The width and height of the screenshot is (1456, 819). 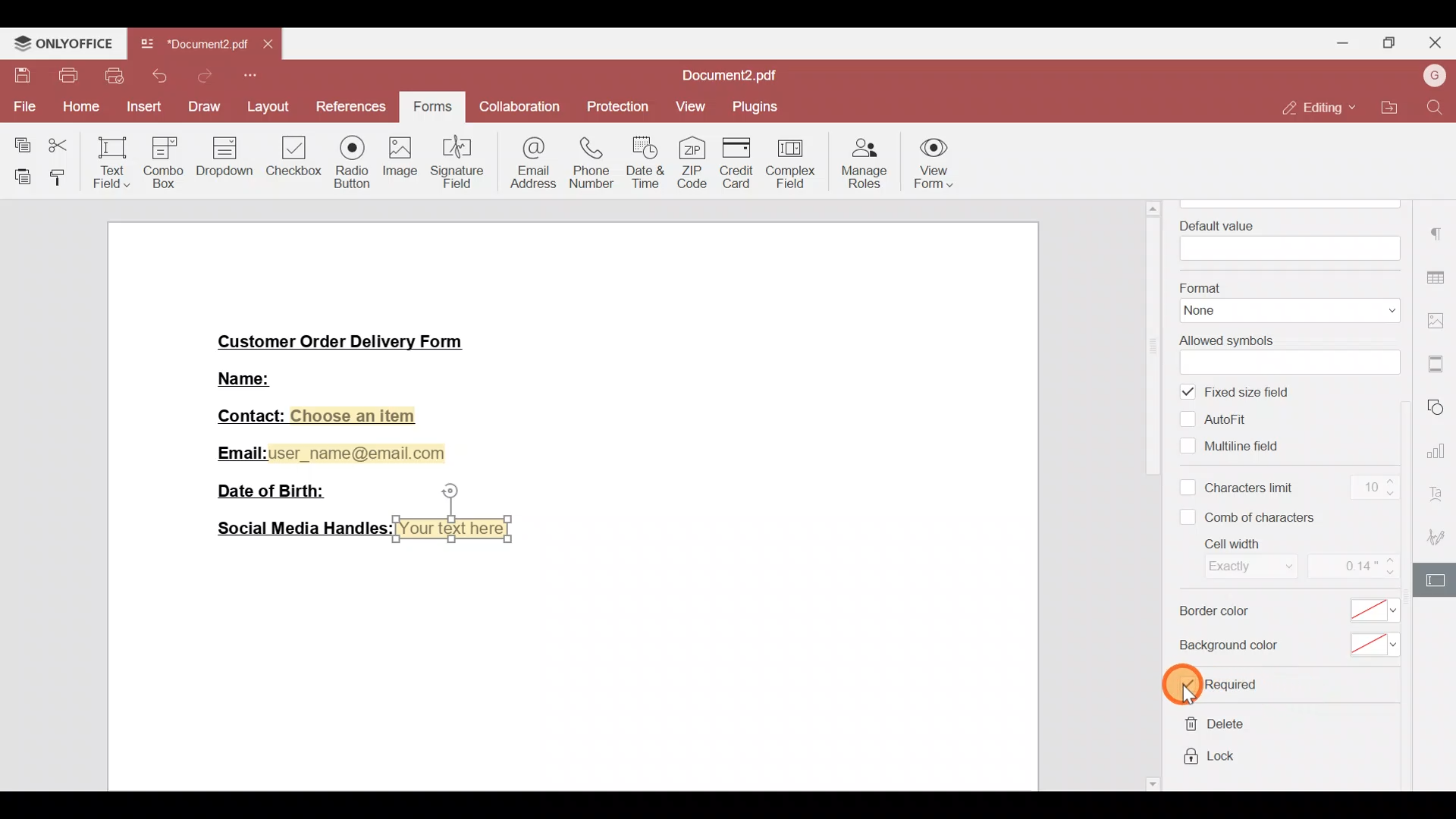 What do you see at coordinates (527, 165) in the screenshot?
I see `Email address` at bounding box center [527, 165].